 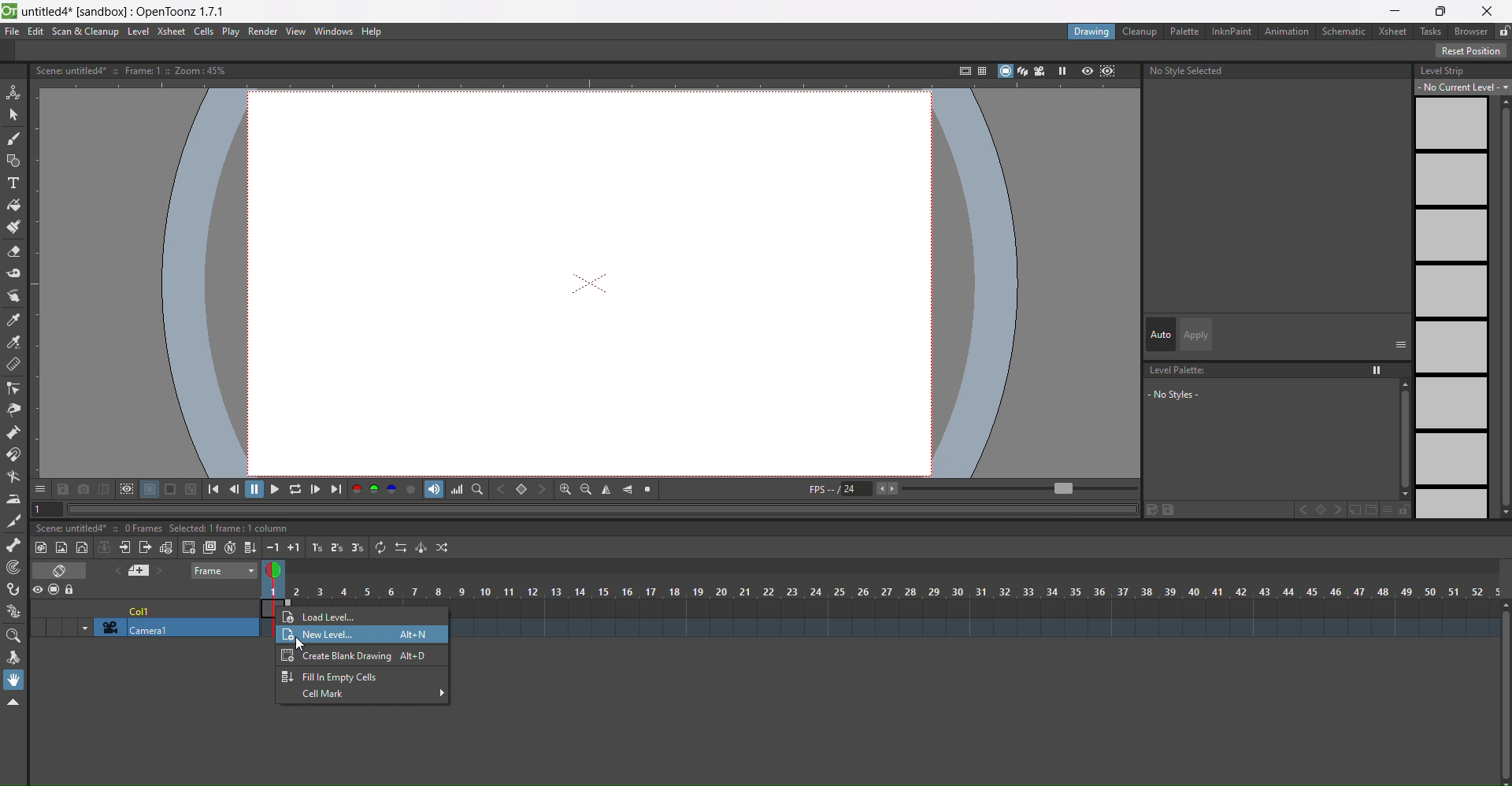 What do you see at coordinates (521, 489) in the screenshot?
I see `set key` at bounding box center [521, 489].